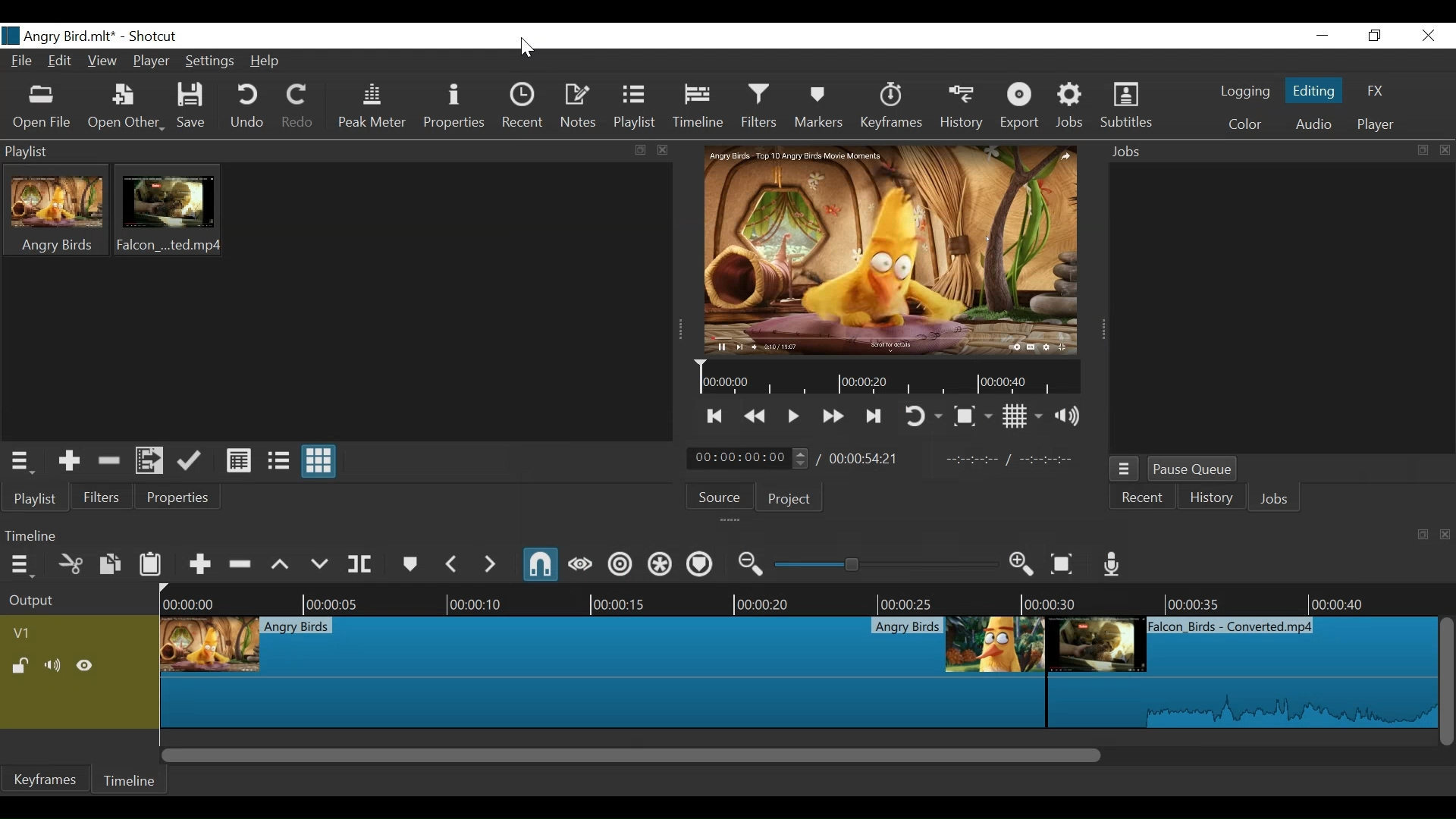 This screenshot has height=819, width=1456. I want to click on Recent, so click(1139, 497).